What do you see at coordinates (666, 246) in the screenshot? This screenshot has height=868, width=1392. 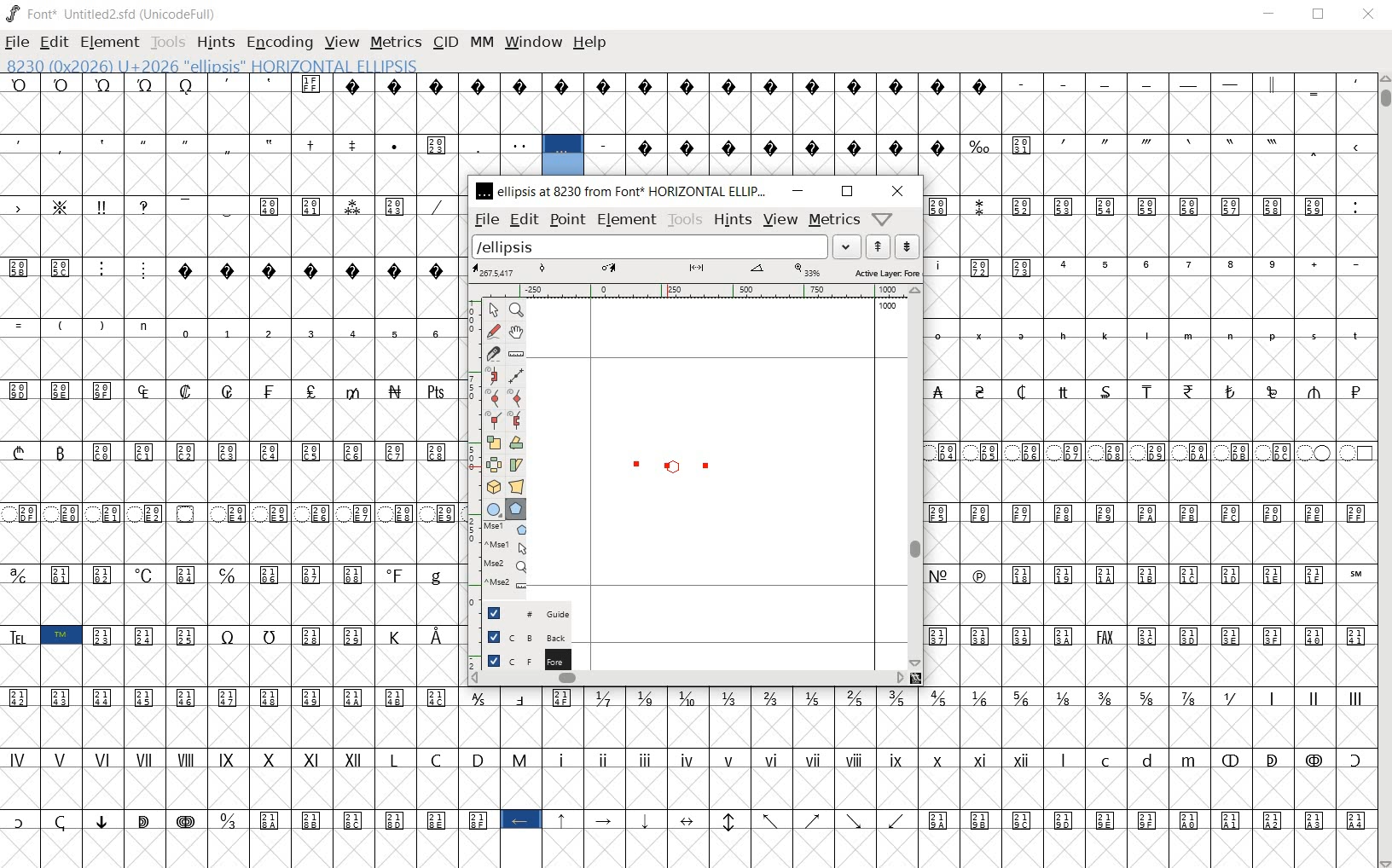 I see `load word list` at bounding box center [666, 246].